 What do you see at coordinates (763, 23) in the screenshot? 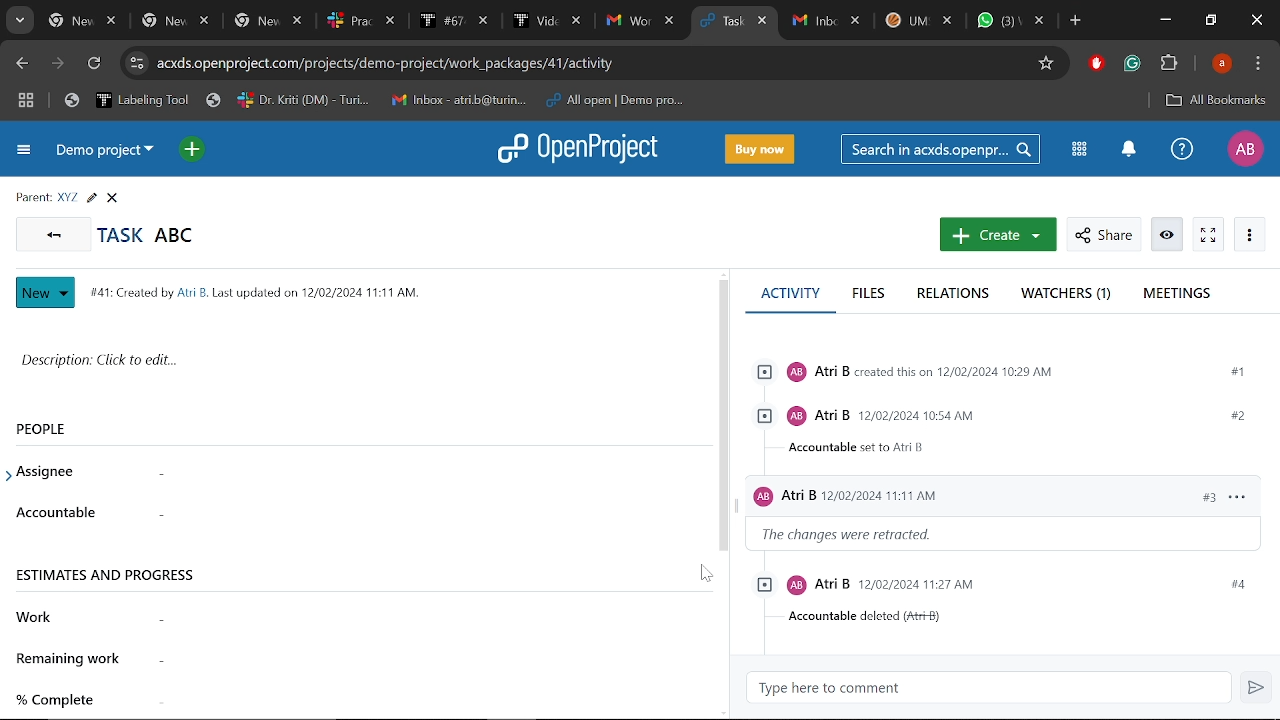
I see `Close current tab` at bounding box center [763, 23].